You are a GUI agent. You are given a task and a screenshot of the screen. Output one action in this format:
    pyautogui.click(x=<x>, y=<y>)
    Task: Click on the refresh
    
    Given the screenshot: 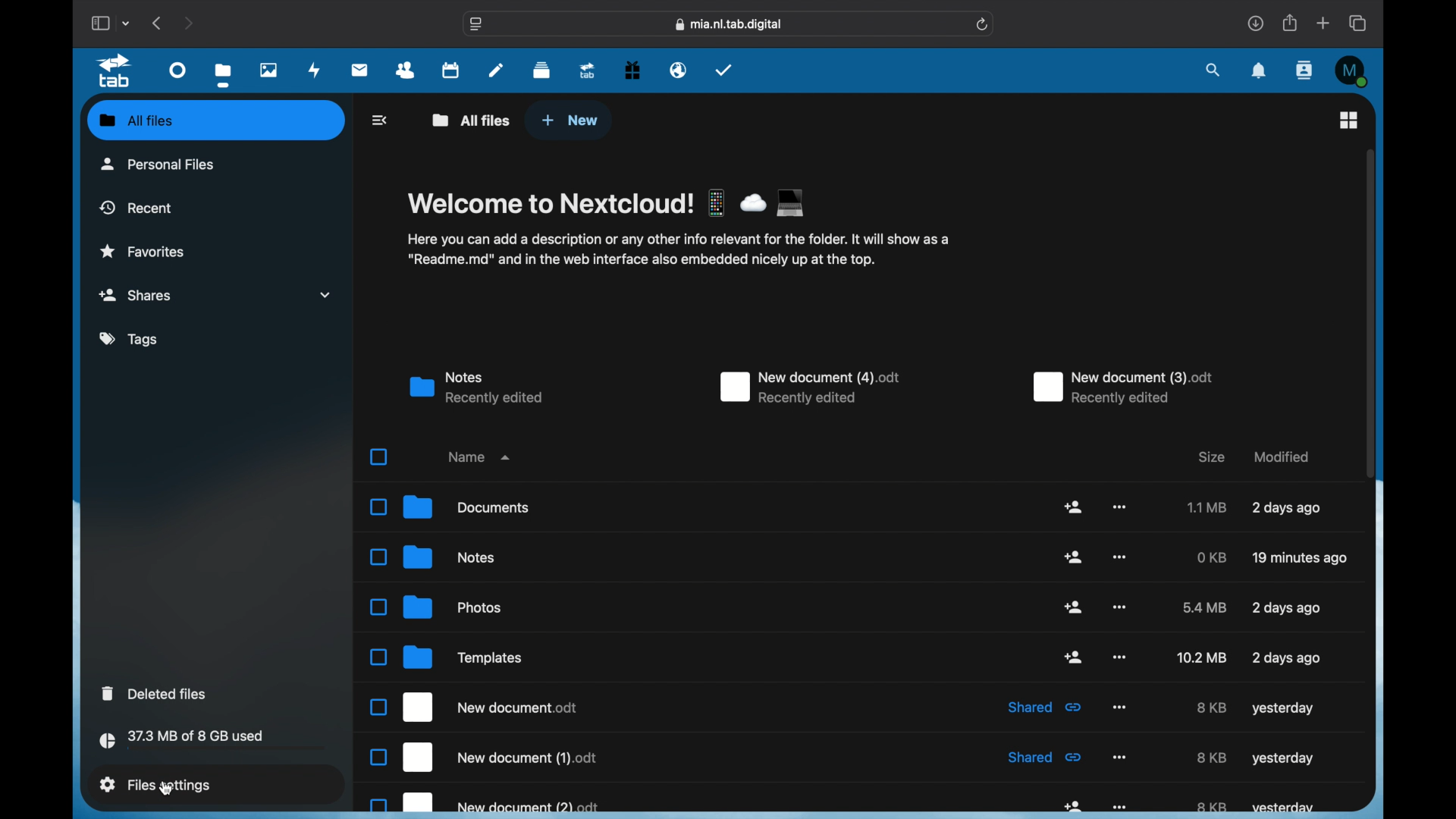 What is the action you would take?
    pyautogui.click(x=983, y=25)
    